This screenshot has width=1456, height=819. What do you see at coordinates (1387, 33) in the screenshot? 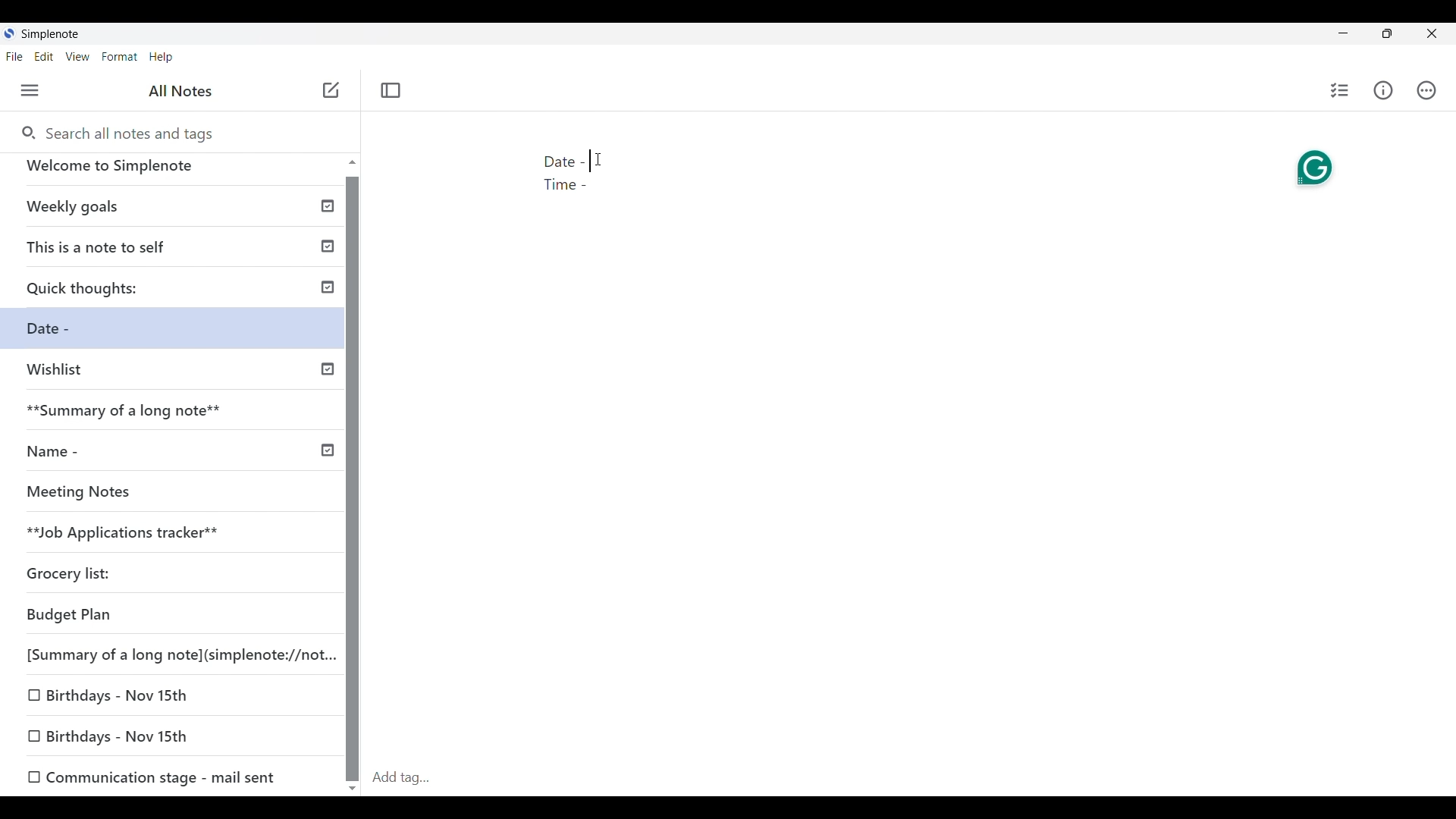
I see `Show interface in a smaller tab` at bounding box center [1387, 33].